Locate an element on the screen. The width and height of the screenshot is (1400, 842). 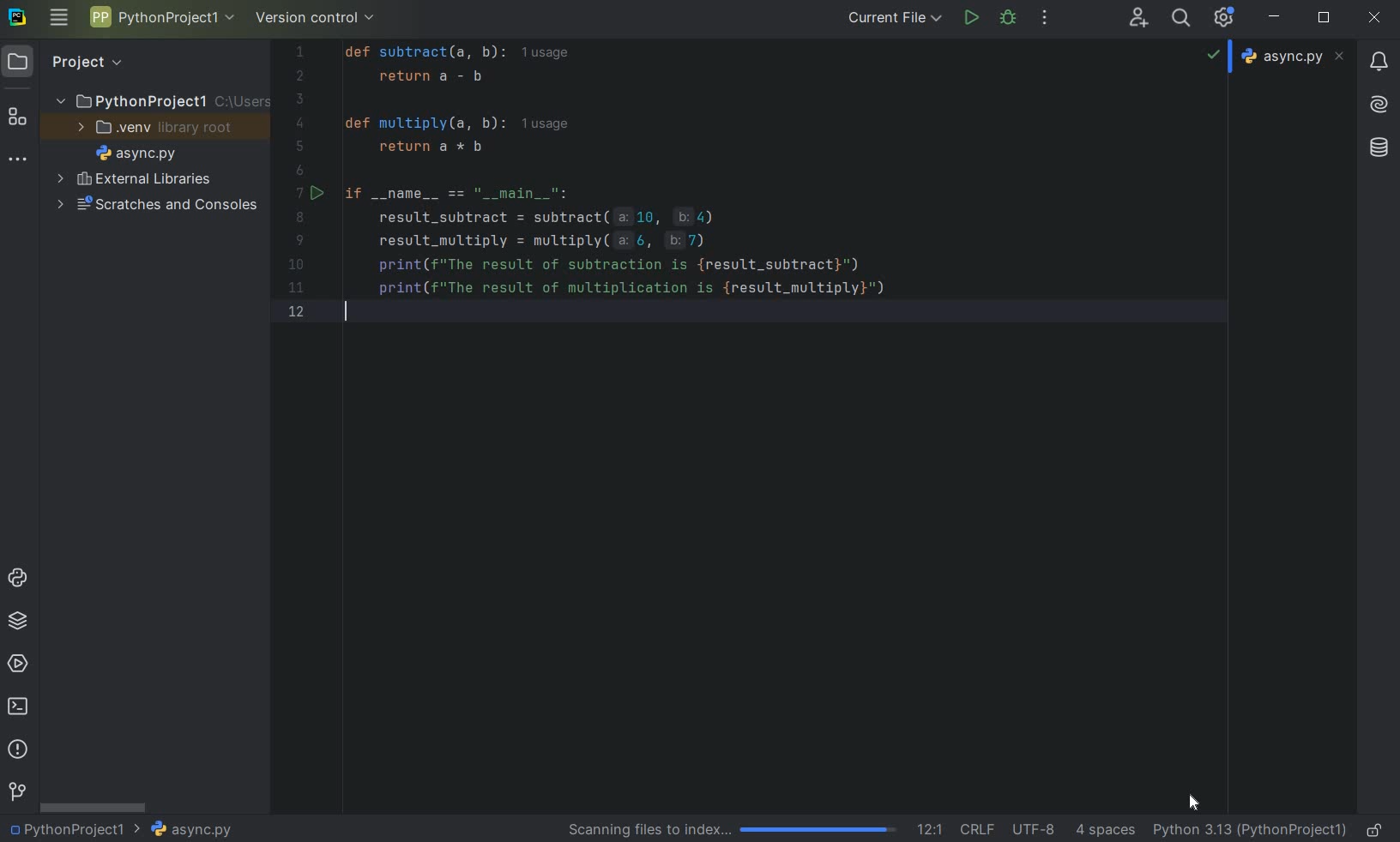
ide and project settings is located at coordinates (1224, 18).